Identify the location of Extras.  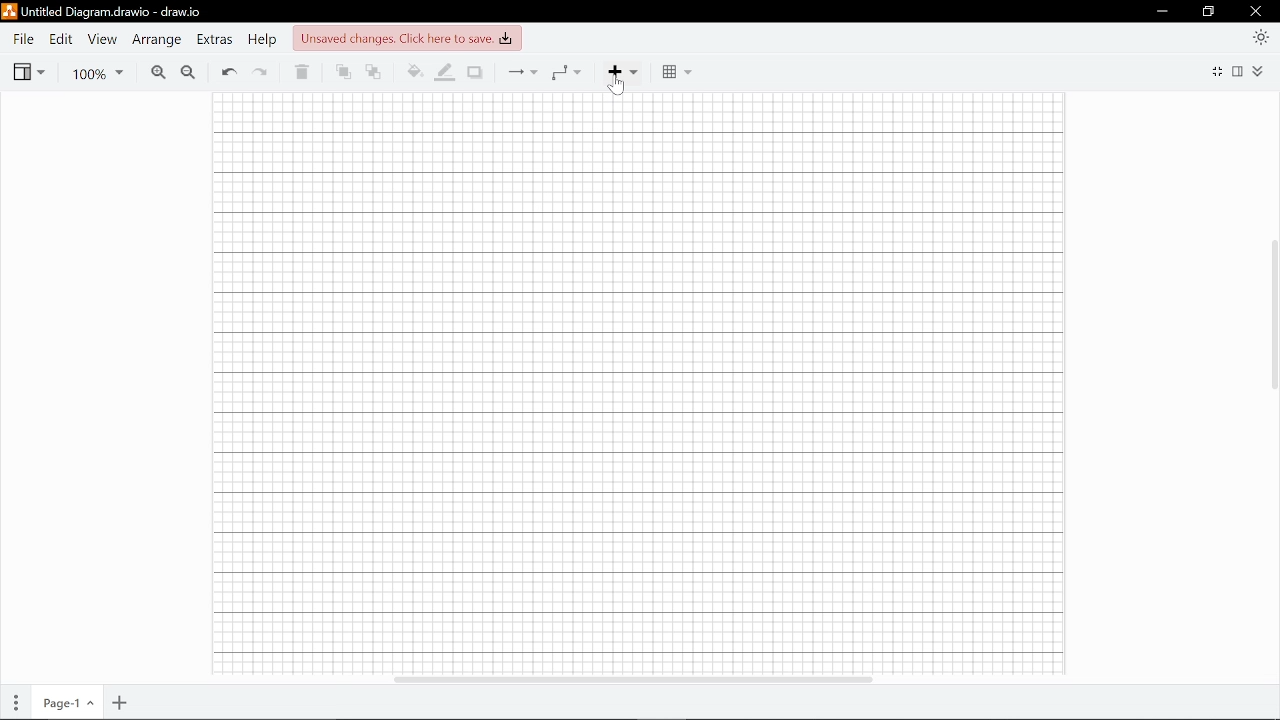
(214, 42).